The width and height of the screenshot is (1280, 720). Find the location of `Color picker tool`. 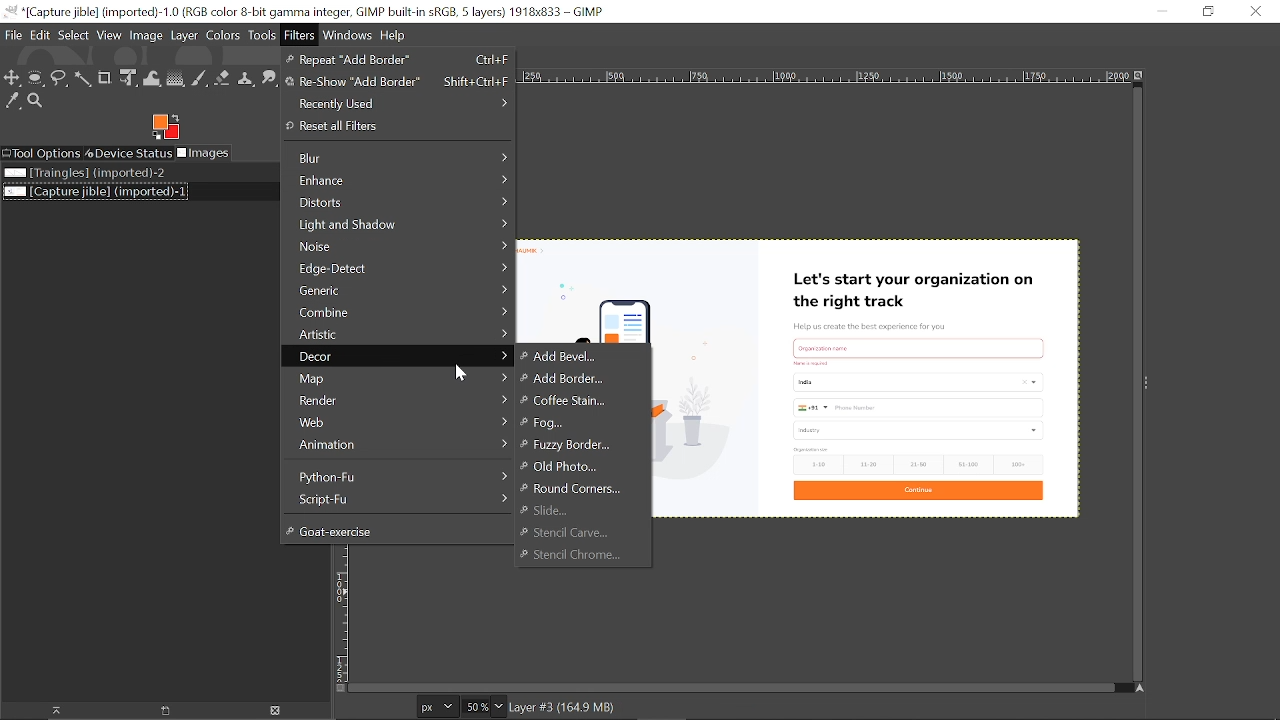

Color picker tool is located at coordinates (13, 102).